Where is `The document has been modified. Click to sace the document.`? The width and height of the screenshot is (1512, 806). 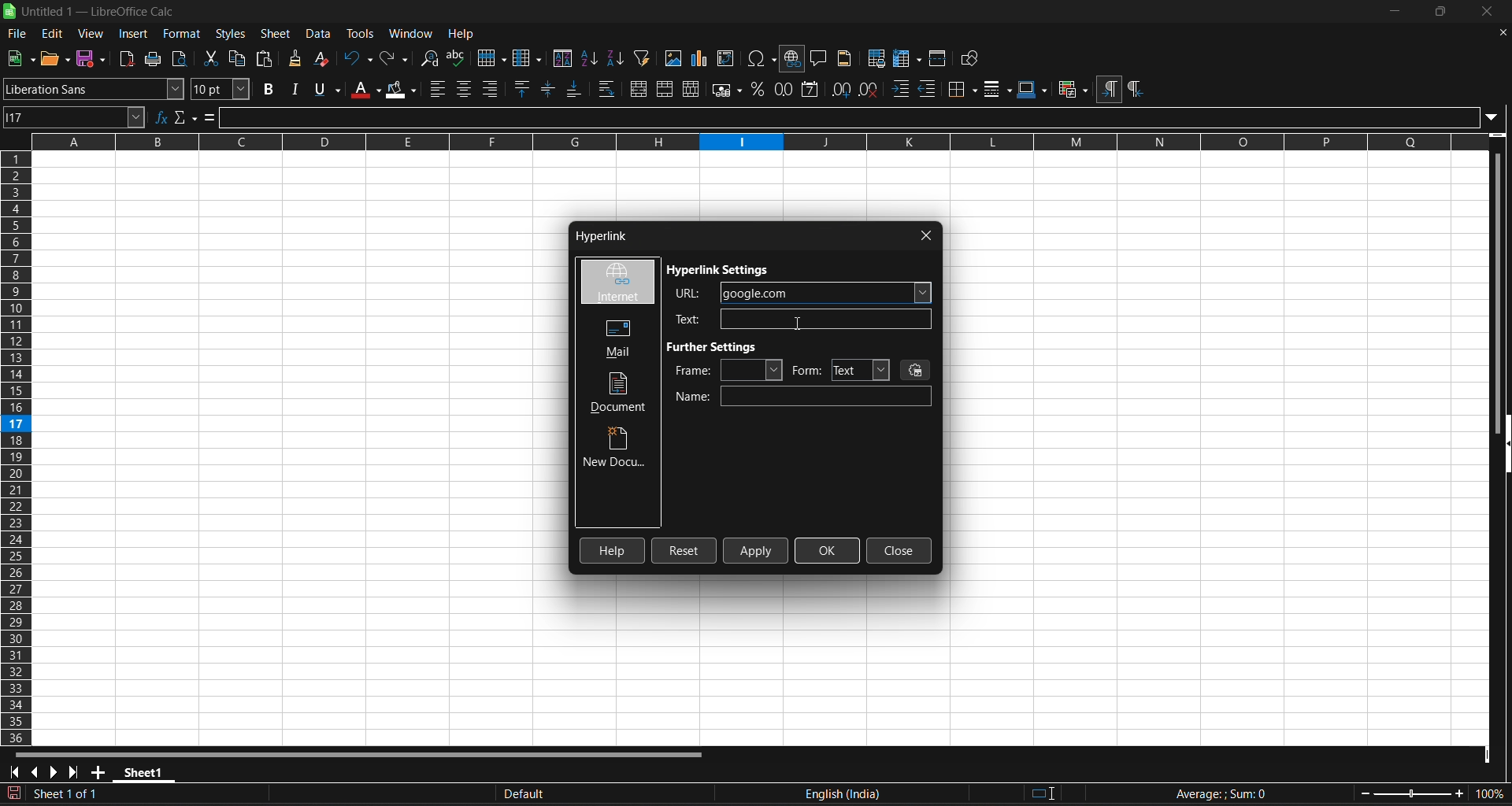
The document has been modified. Click to sace the document. is located at coordinates (250, 795).